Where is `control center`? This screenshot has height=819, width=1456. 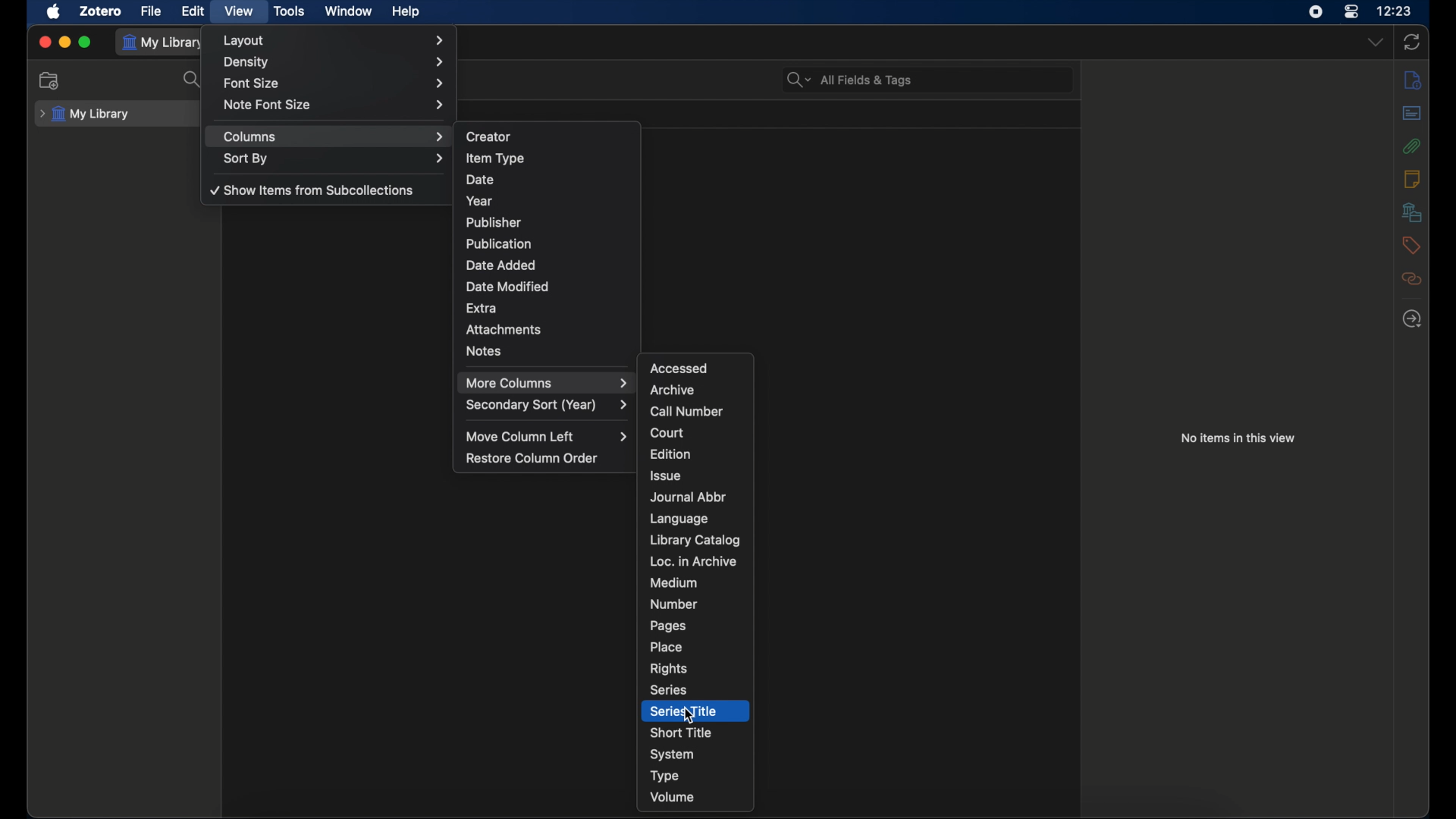 control center is located at coordinates (1351, 12).